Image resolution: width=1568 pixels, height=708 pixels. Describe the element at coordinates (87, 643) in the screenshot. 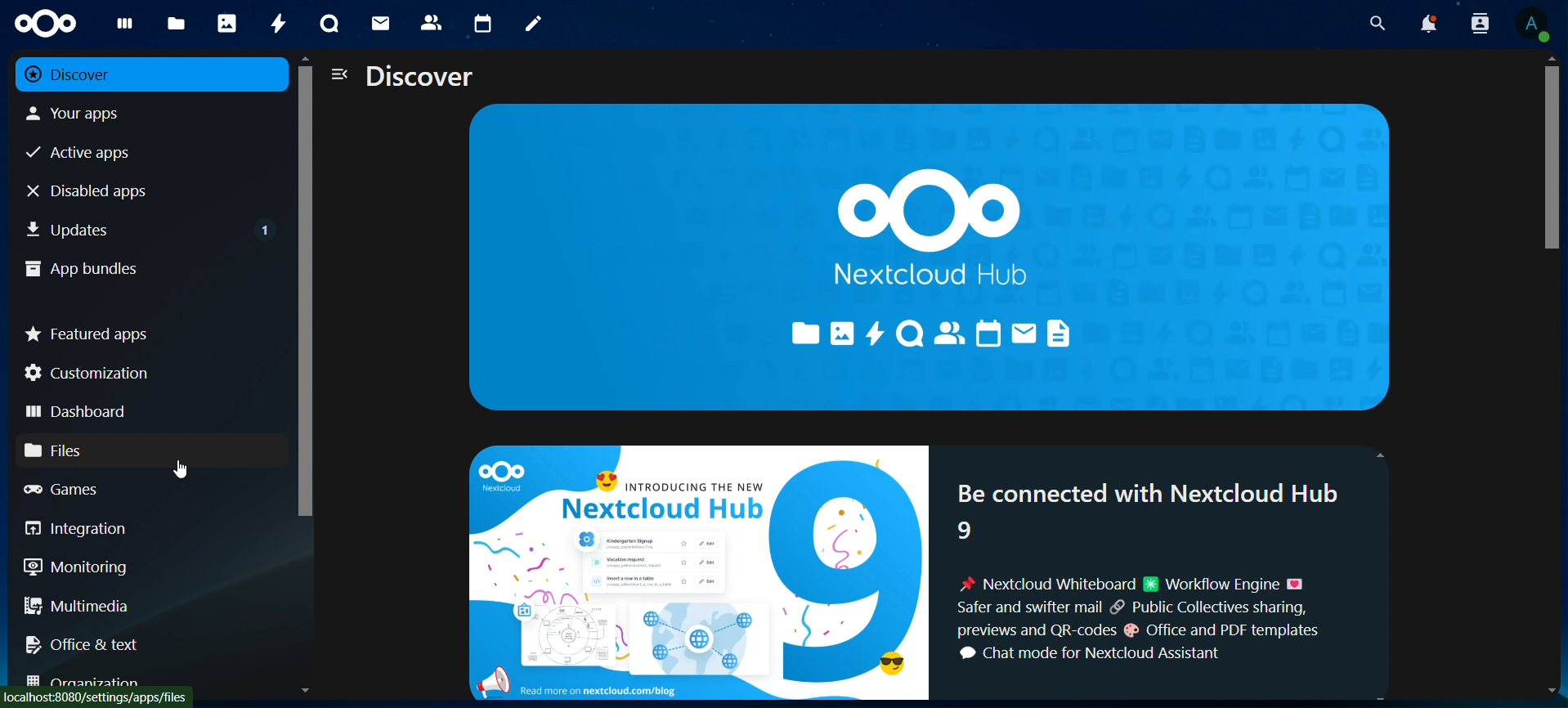

I see `office & text` at that location.